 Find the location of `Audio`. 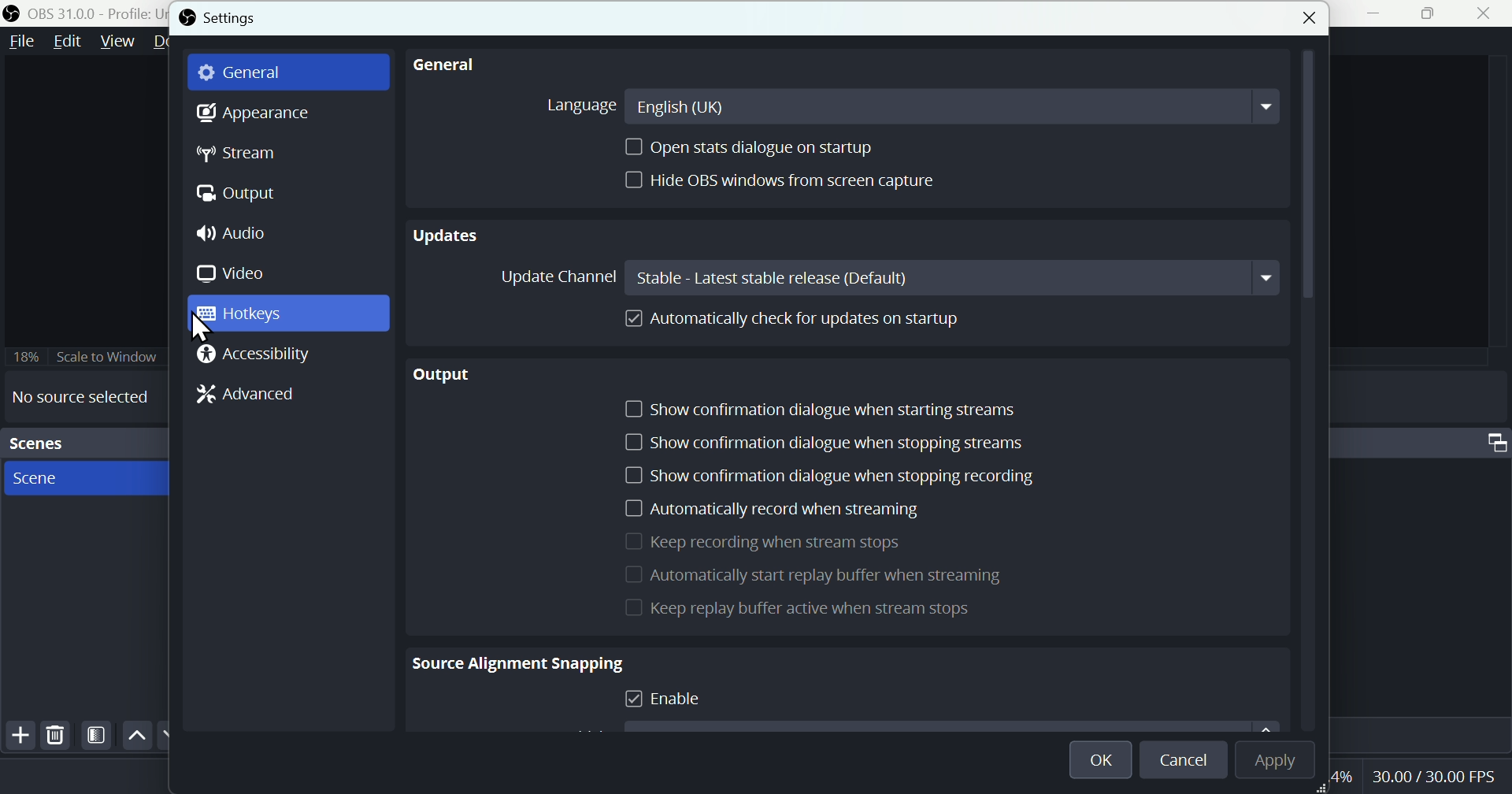

Audio is located at coordinates (239, 235).